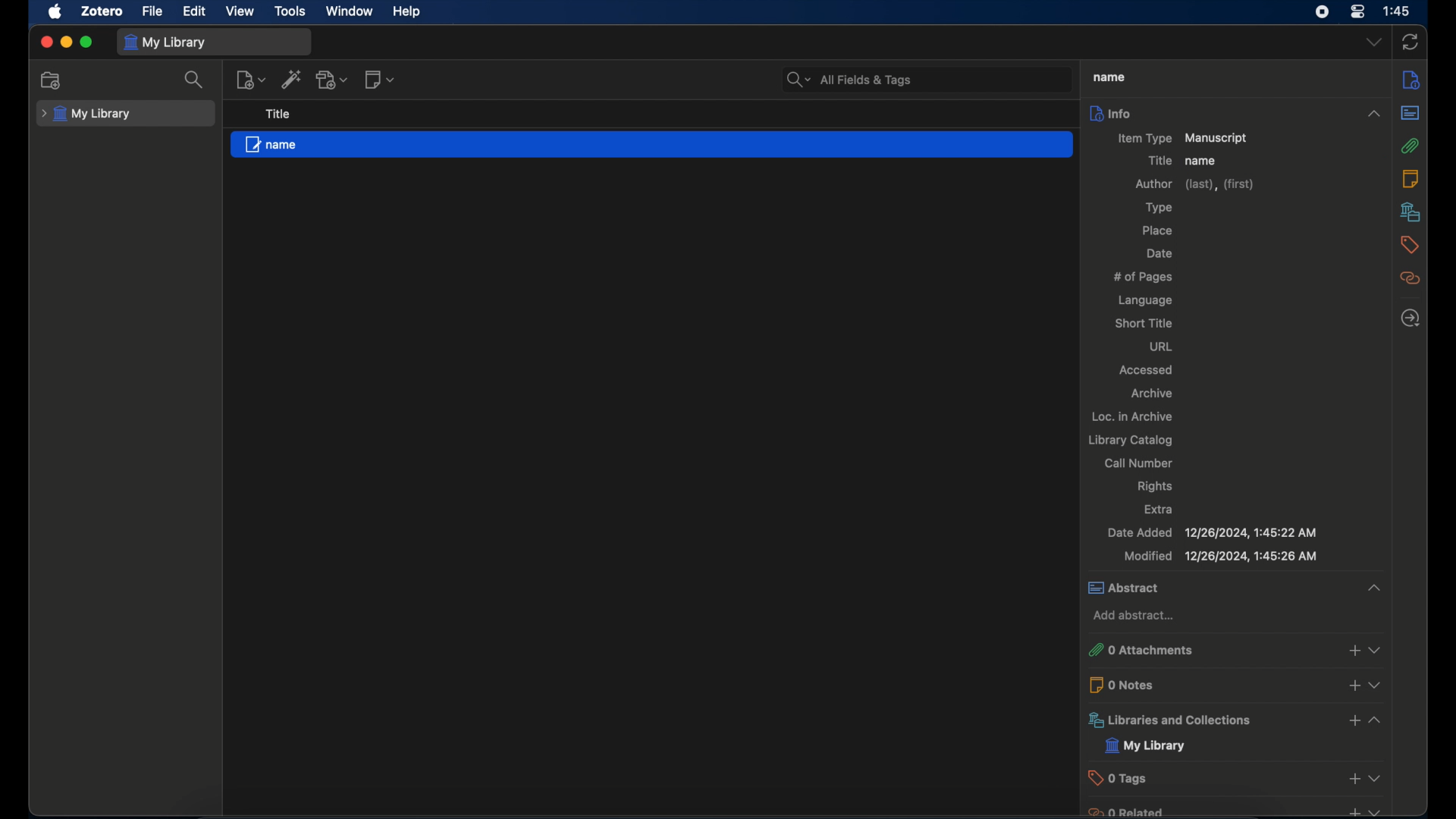  What do you see at coordinates (1164, 347) in the screenshot?
I see `url` at bounding box center [1164, 347].